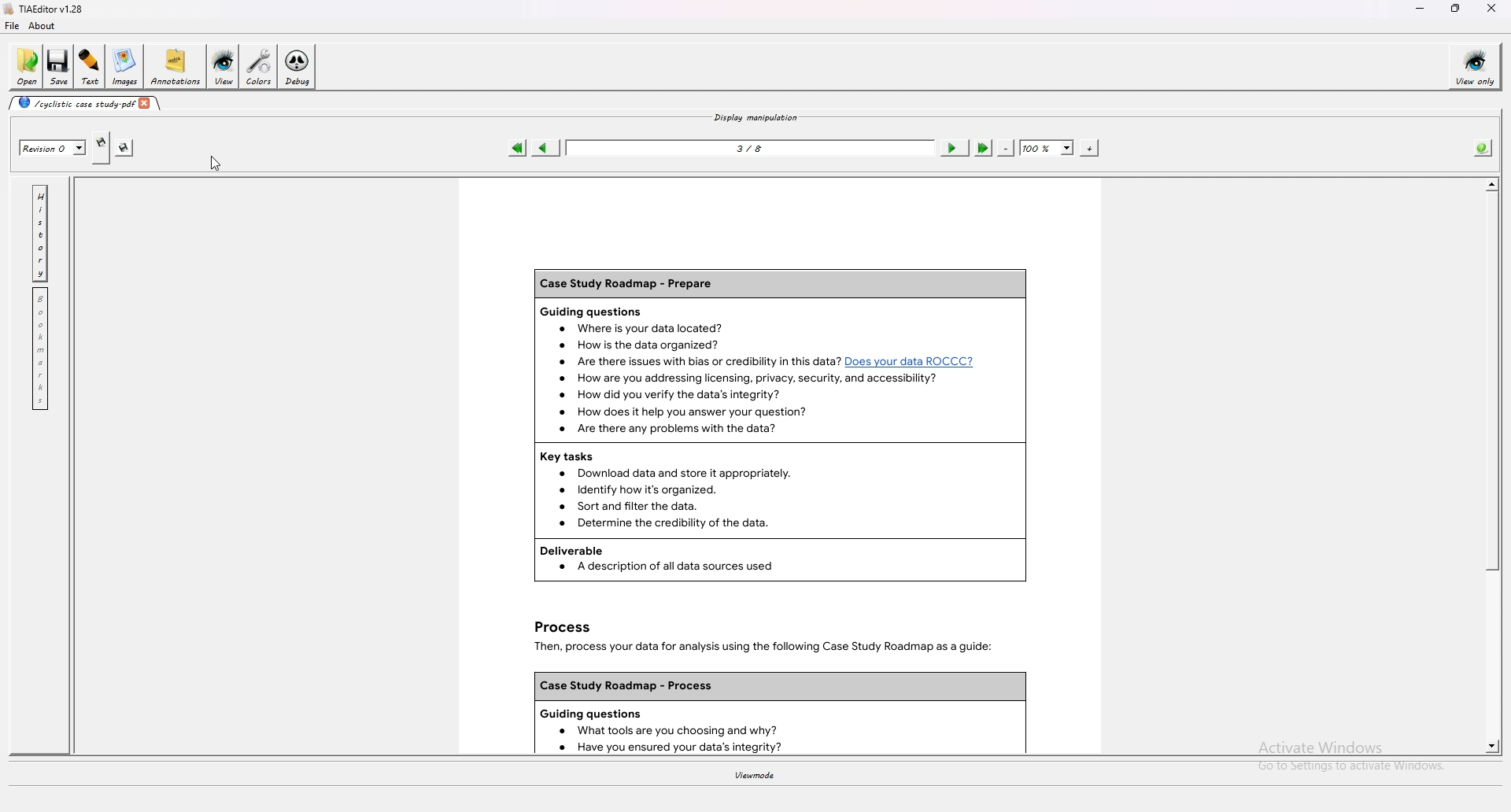 The width and height of the screenshot is (1511, 812). What do you see at coordinates (672, 394) in the screenshot?
I see `How did you verify the data's integrity?` at bounding box center [672, 394].